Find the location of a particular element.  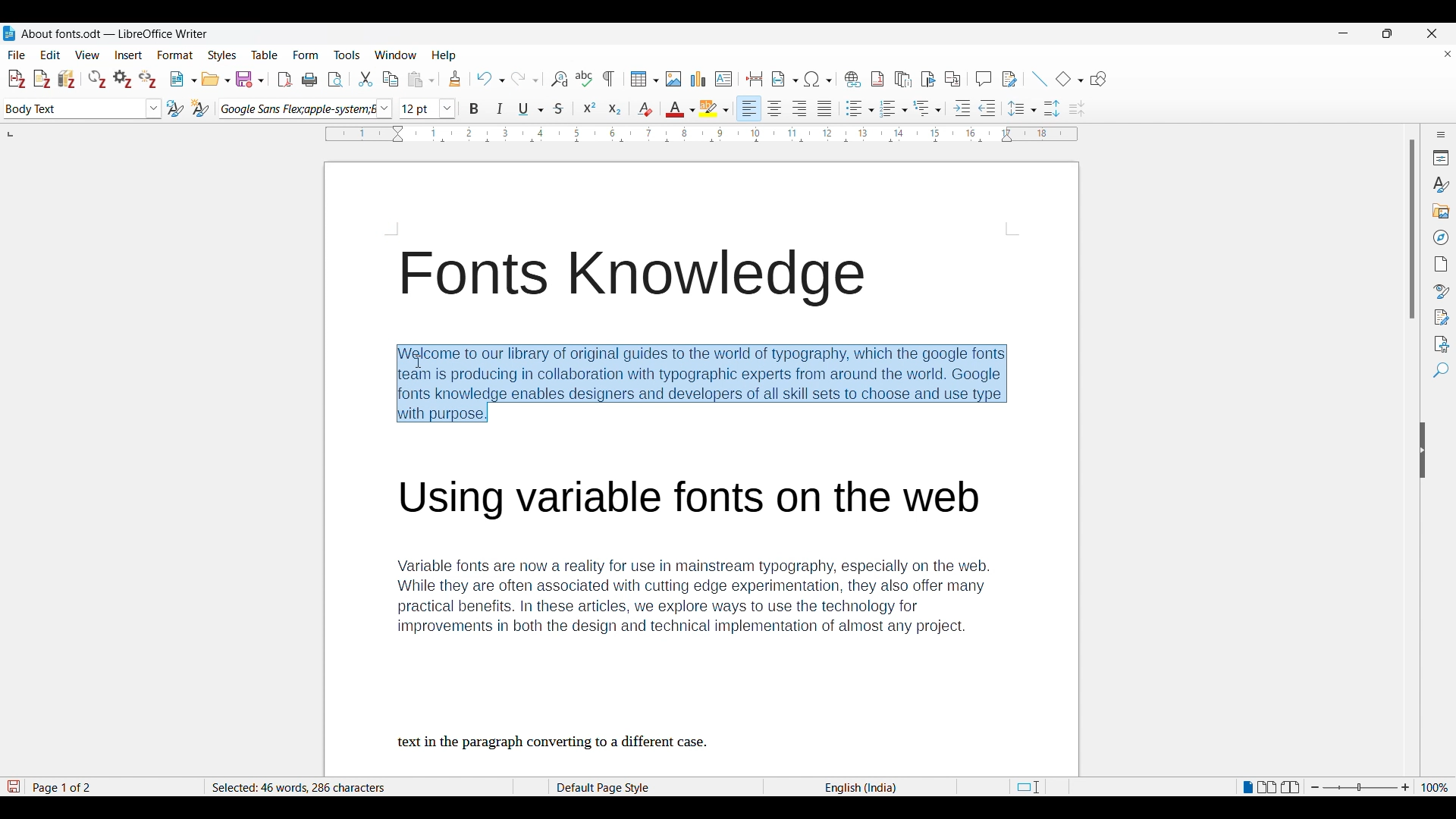

Toggle formatting marks is located at coordinates (608, 79).